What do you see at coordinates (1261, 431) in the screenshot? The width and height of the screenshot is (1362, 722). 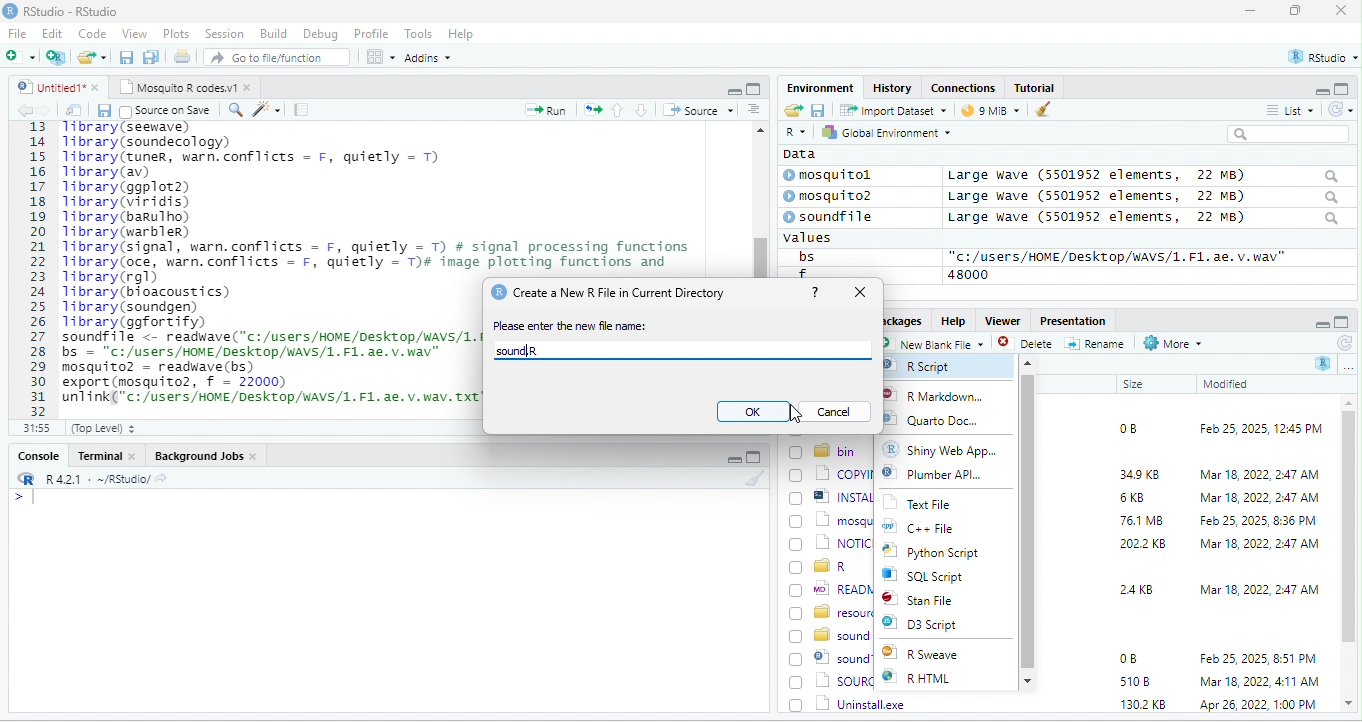 I see `Feb 25, 2025, 12:45 PM` at bounding box center [1261, 431].